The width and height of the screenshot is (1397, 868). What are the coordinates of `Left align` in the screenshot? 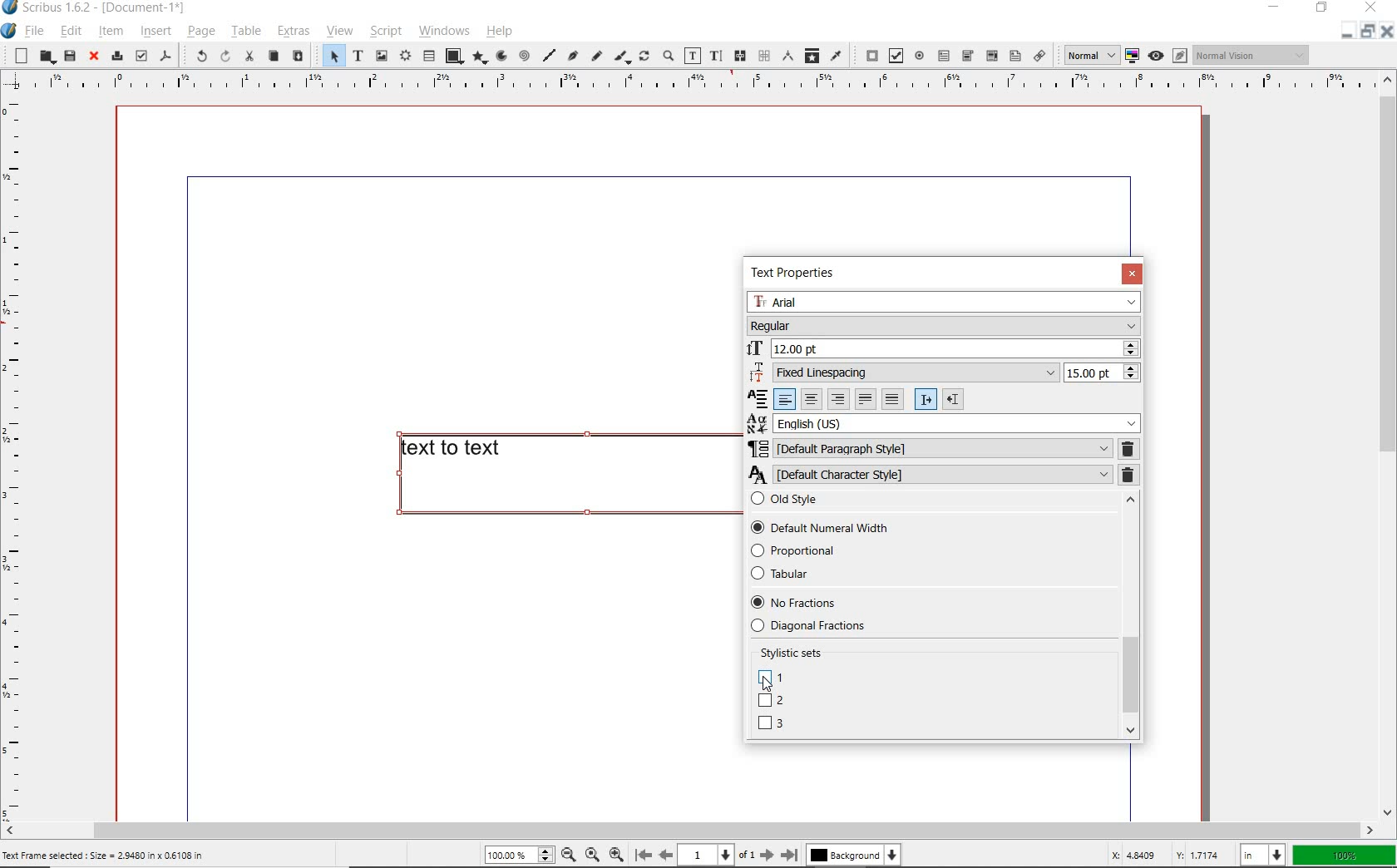 It's located at (786, 399).